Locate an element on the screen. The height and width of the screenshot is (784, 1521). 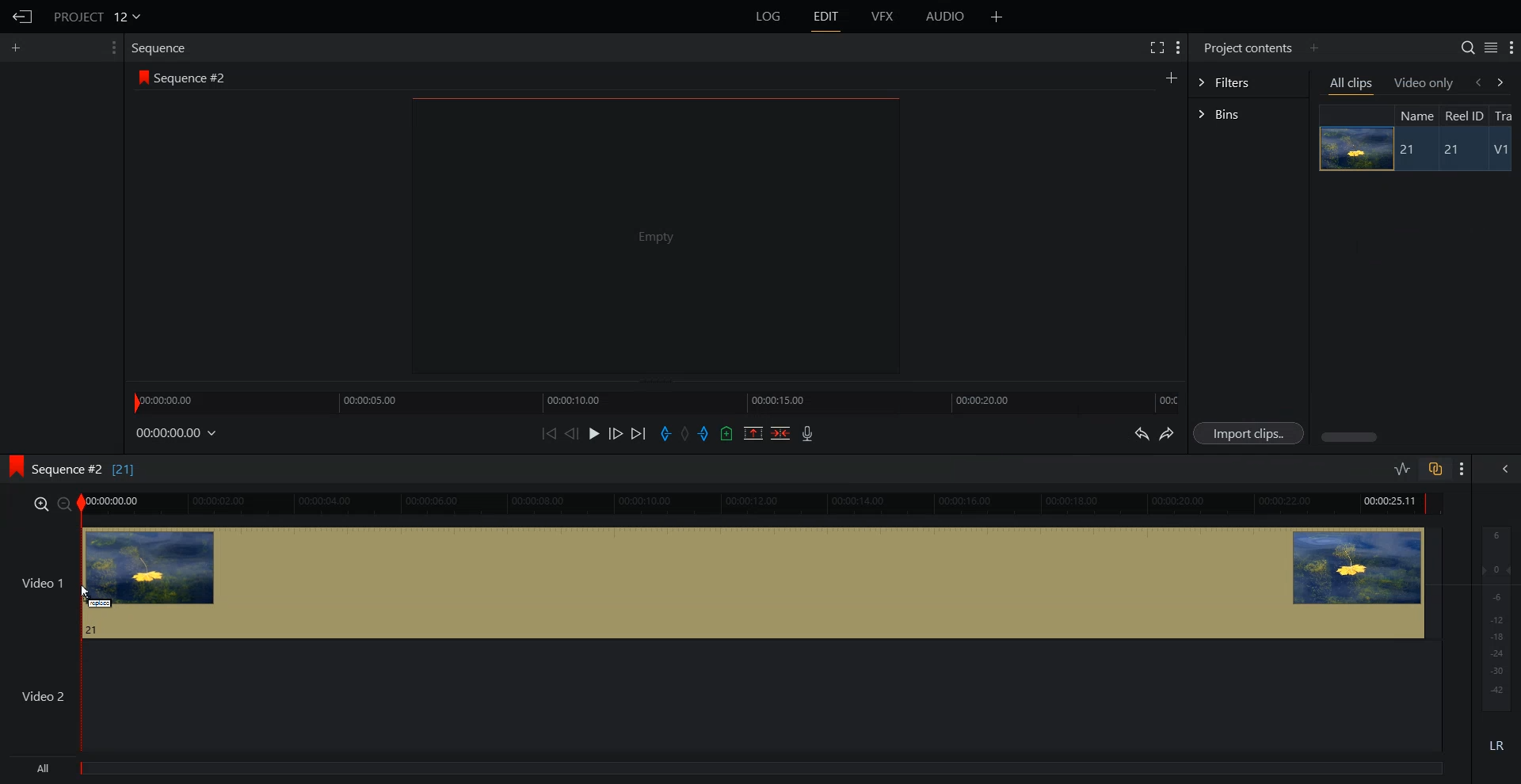
Timeline is located at coordinates (764, 504).